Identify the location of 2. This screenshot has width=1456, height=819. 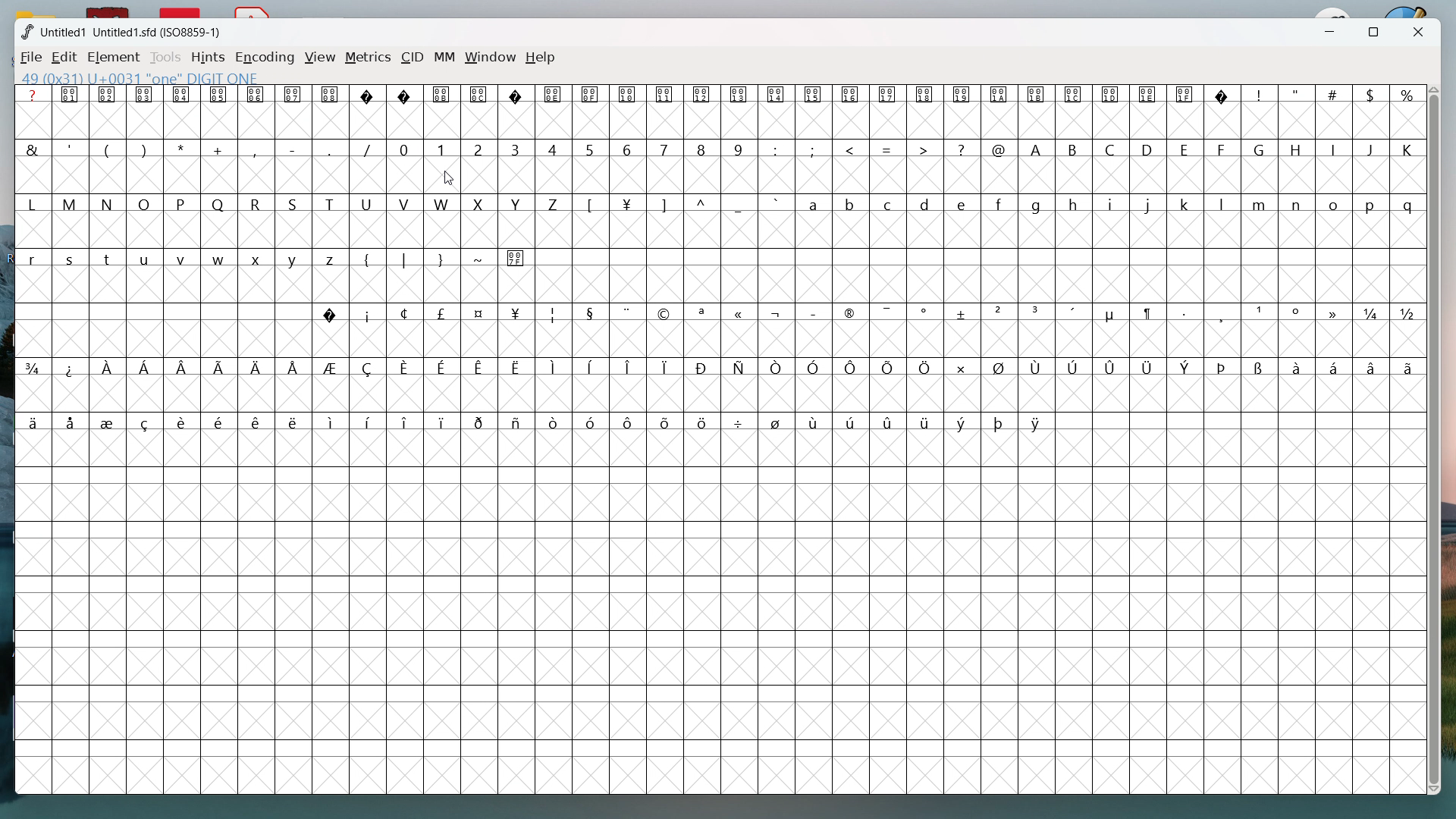
(479, 149).